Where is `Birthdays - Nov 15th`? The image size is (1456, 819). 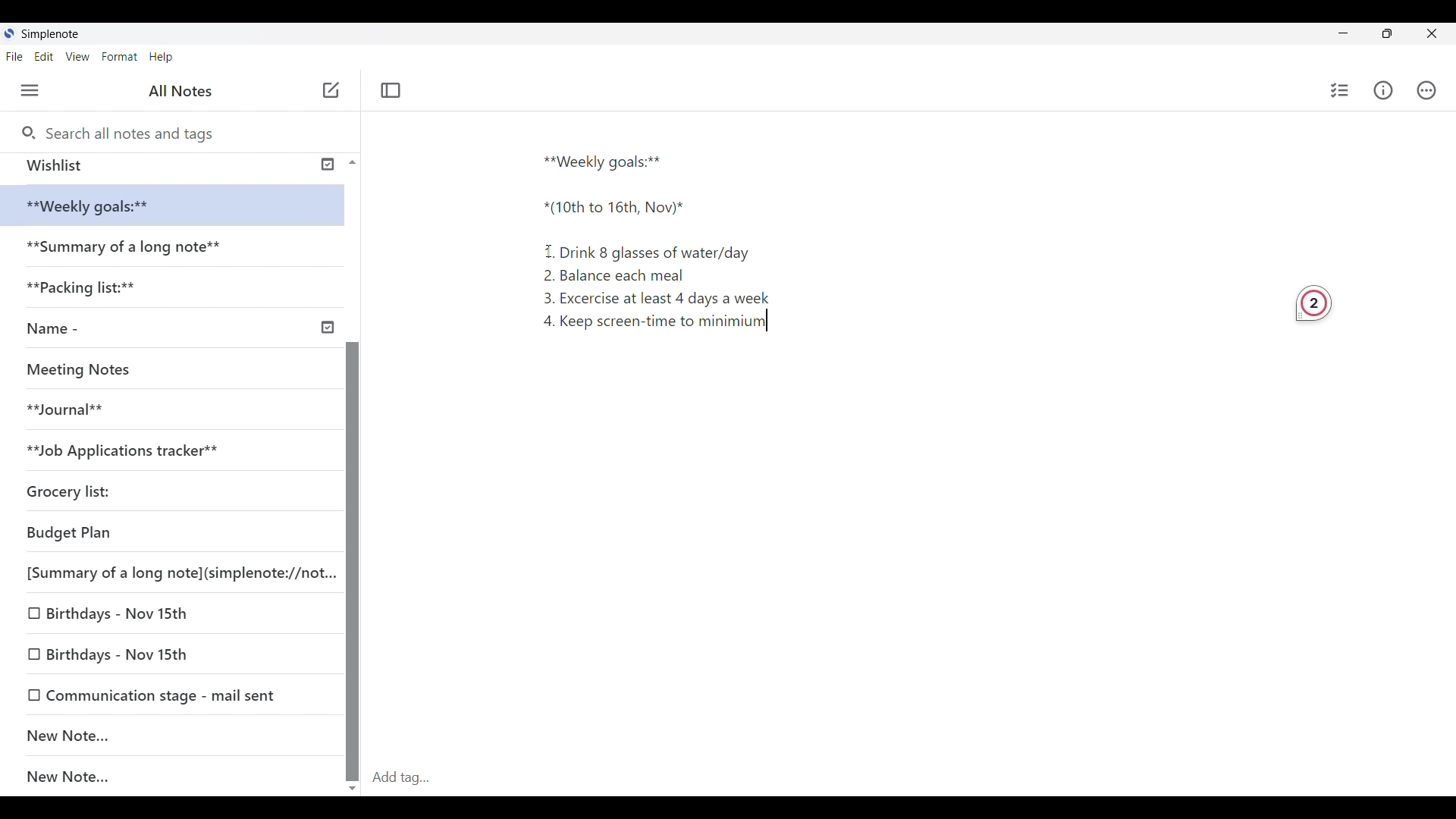
Birthdays - Nov 15th is located at coordinates (153, 616).